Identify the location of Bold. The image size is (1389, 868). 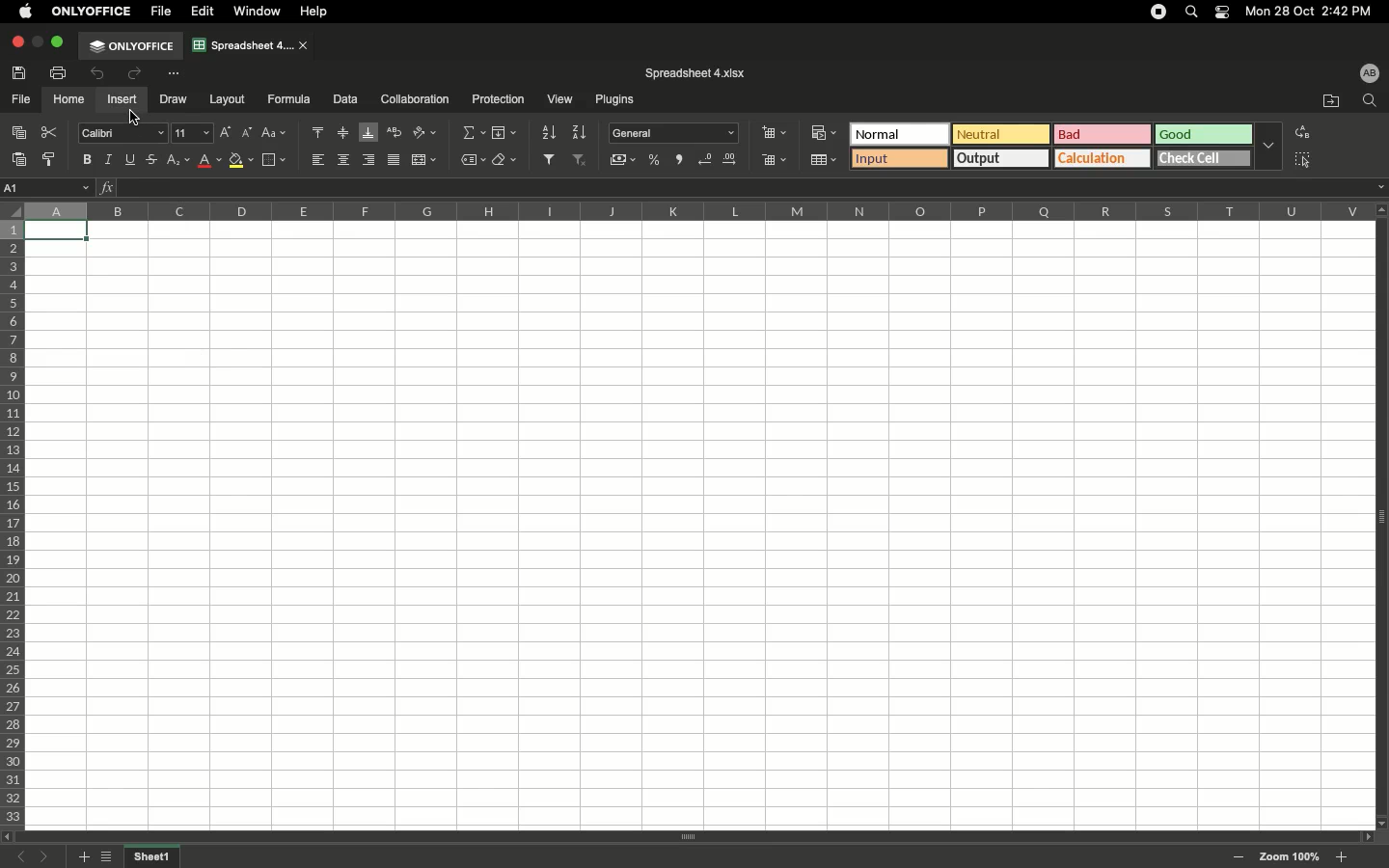
(88, 159).